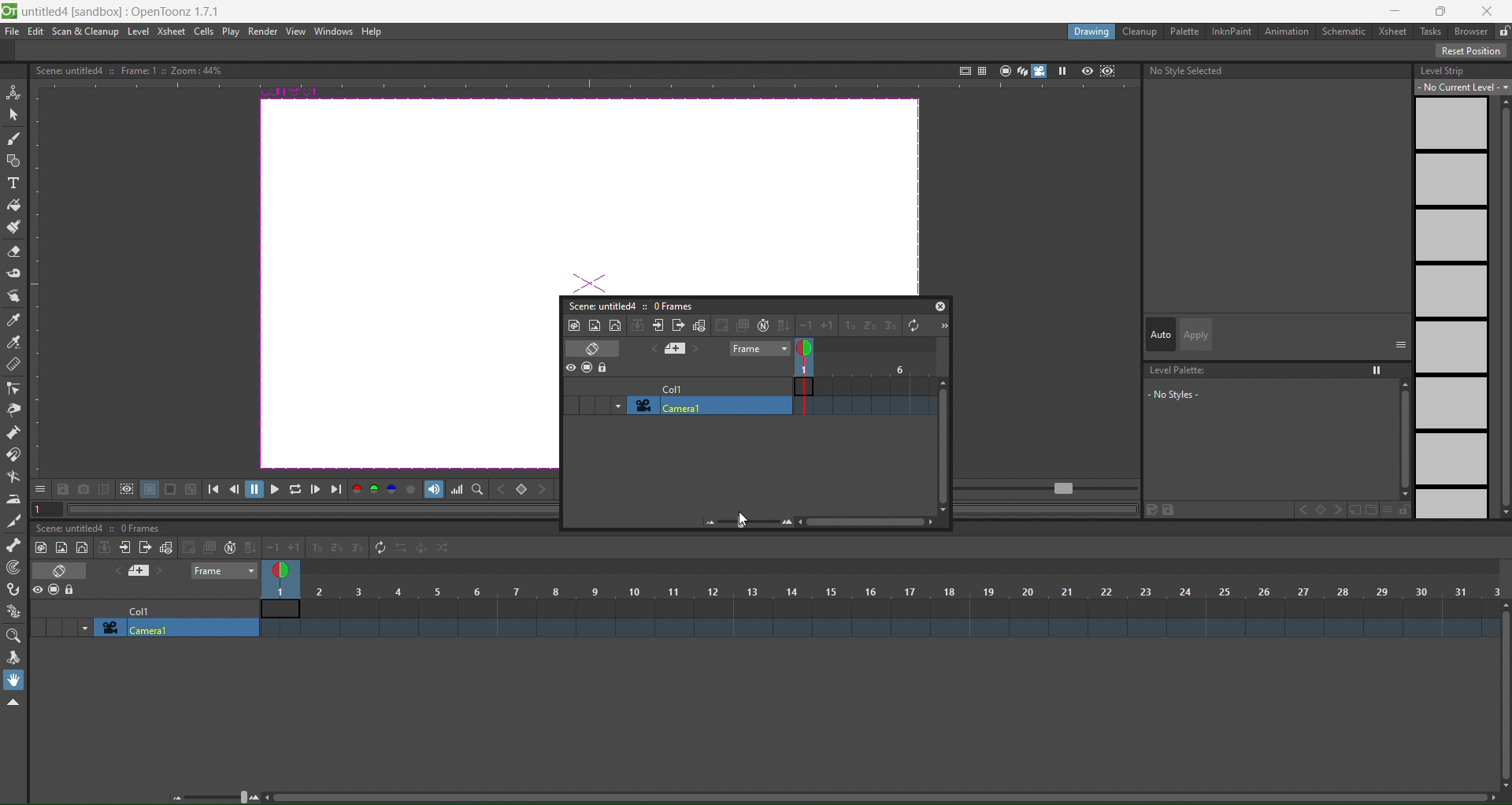 The width and height of the screenshot is (1512, 805). I want to click on paint brush tool, so click(15, 228).